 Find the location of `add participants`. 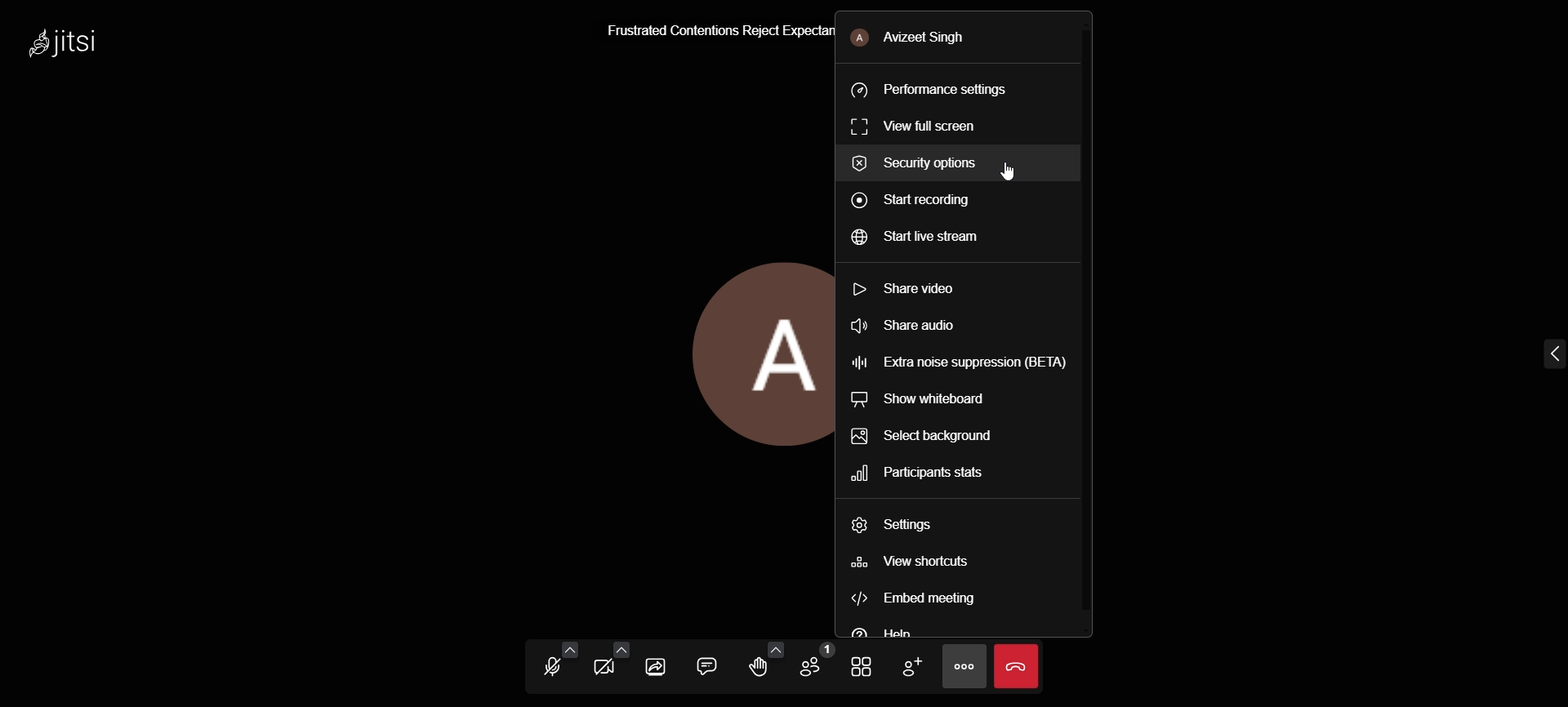

add participants is located at coordinates (911, 665).